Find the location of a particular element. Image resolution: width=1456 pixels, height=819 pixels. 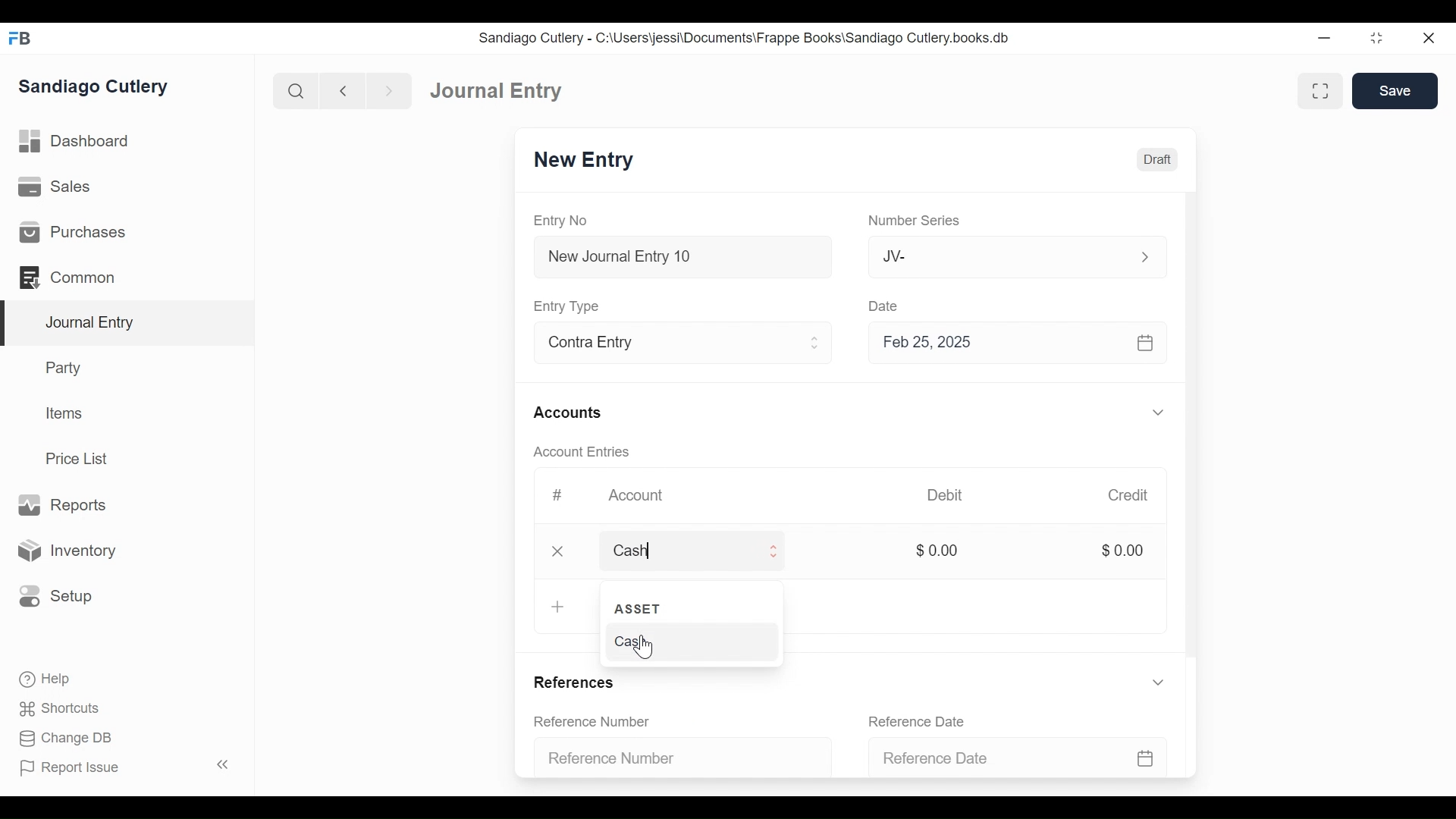

Common is located at coordinates (68, 276).